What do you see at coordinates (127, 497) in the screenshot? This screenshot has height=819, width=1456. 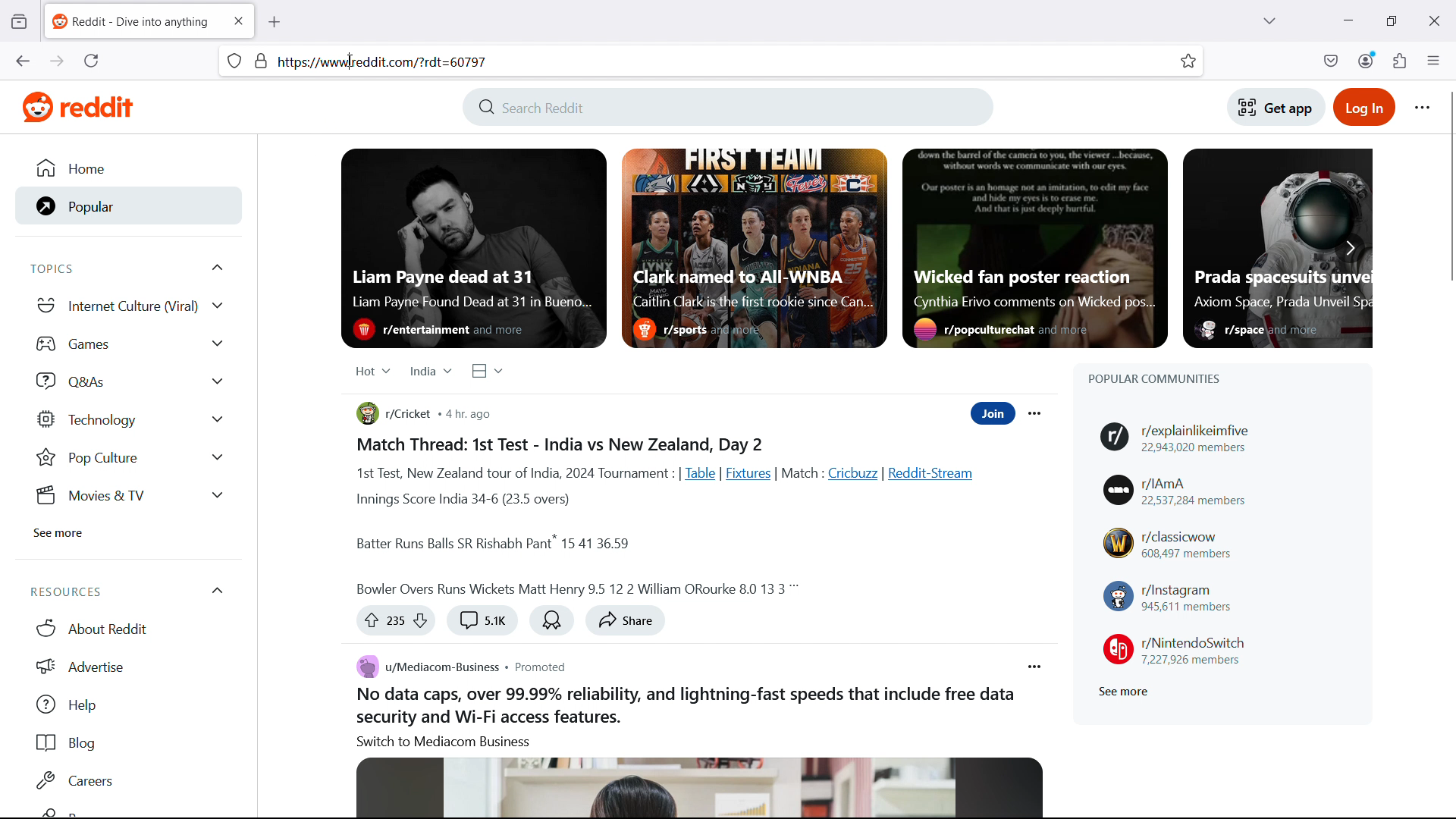 I see `Movies  & tv` at bounding box center [127, 497].